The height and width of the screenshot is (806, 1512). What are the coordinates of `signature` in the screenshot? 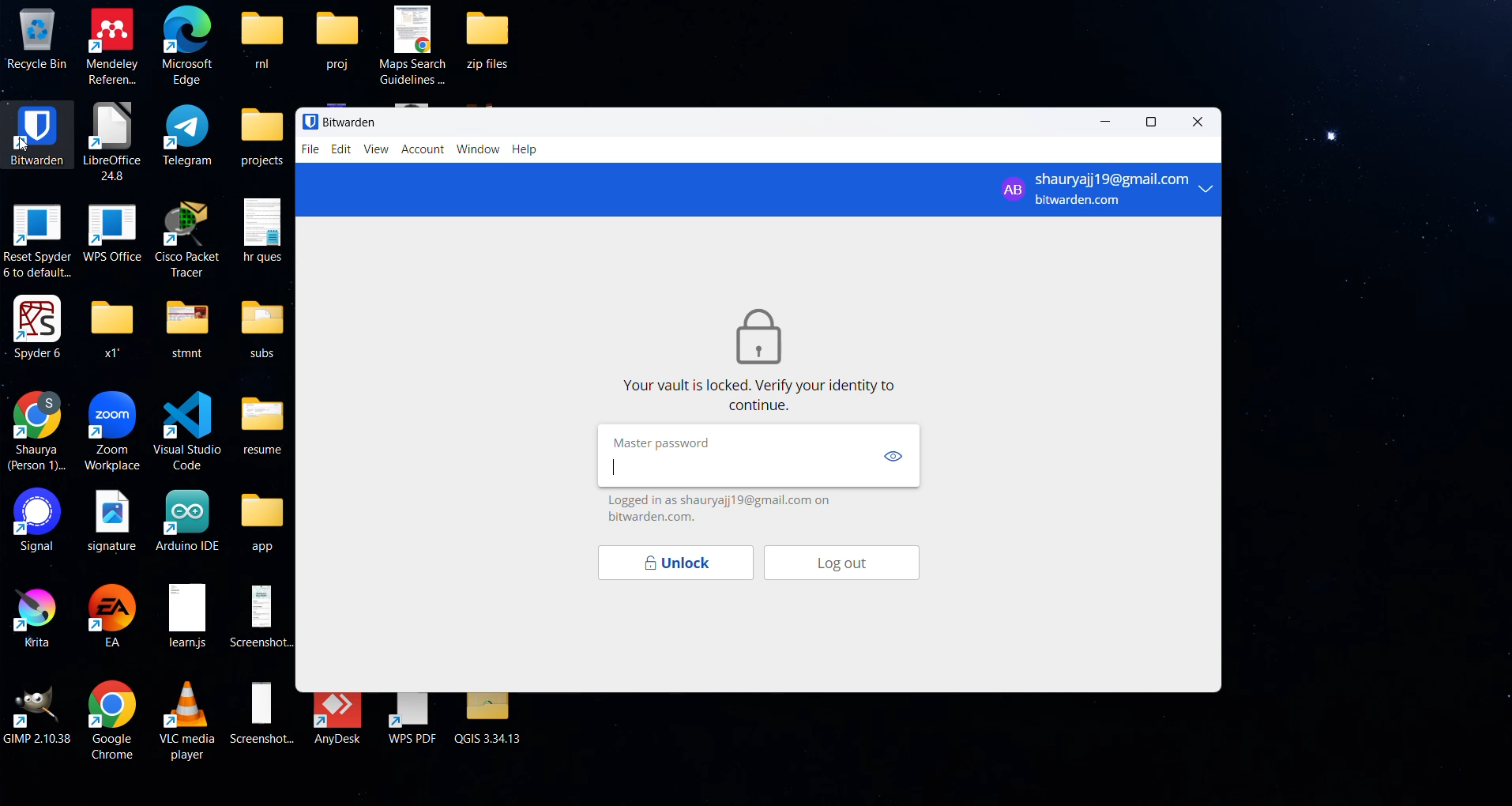 It's located at (111, 520).